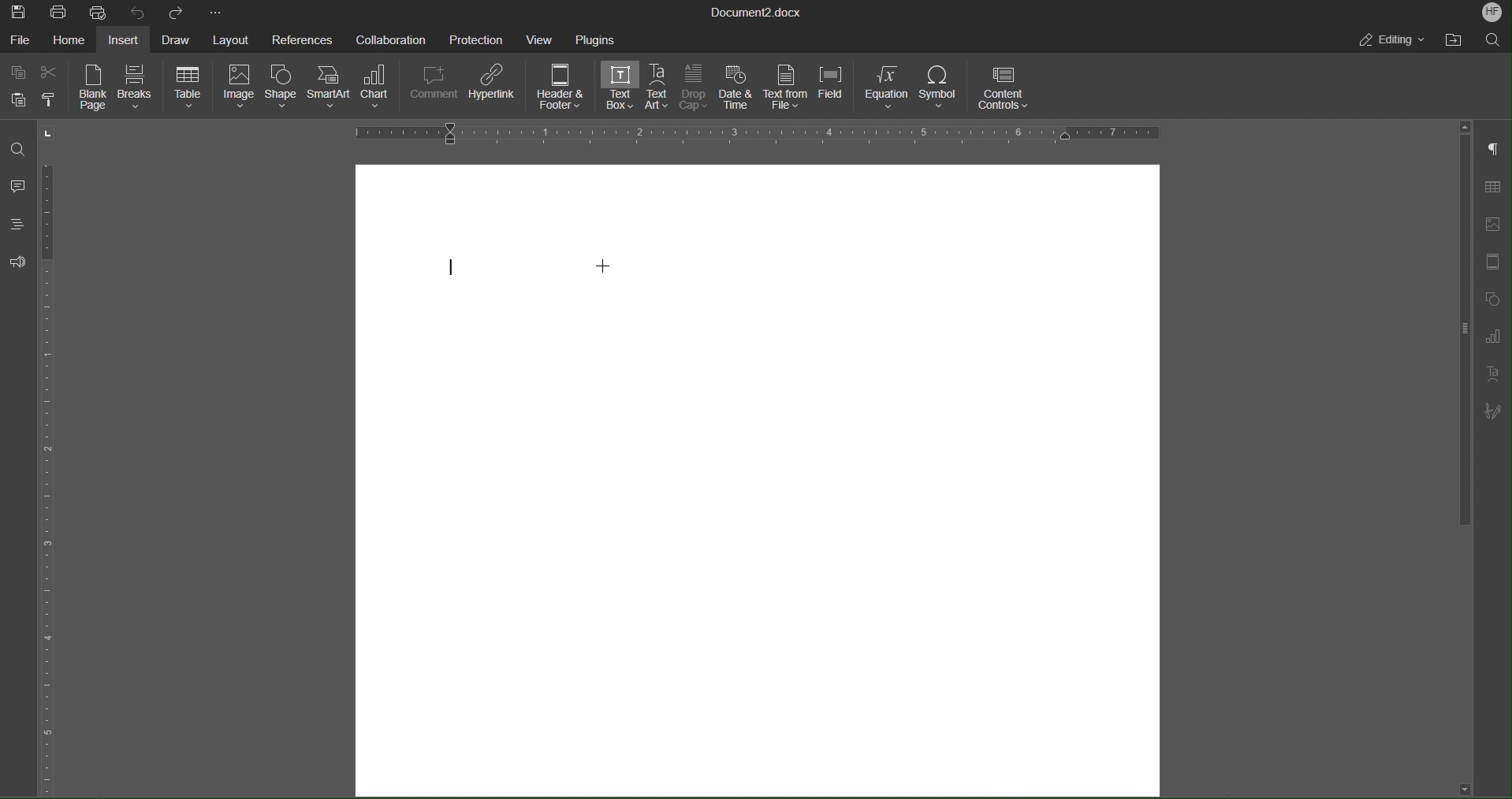  Describe the element at coordinates (620, 87) in the screenshot. I see `Text Box` at that location.